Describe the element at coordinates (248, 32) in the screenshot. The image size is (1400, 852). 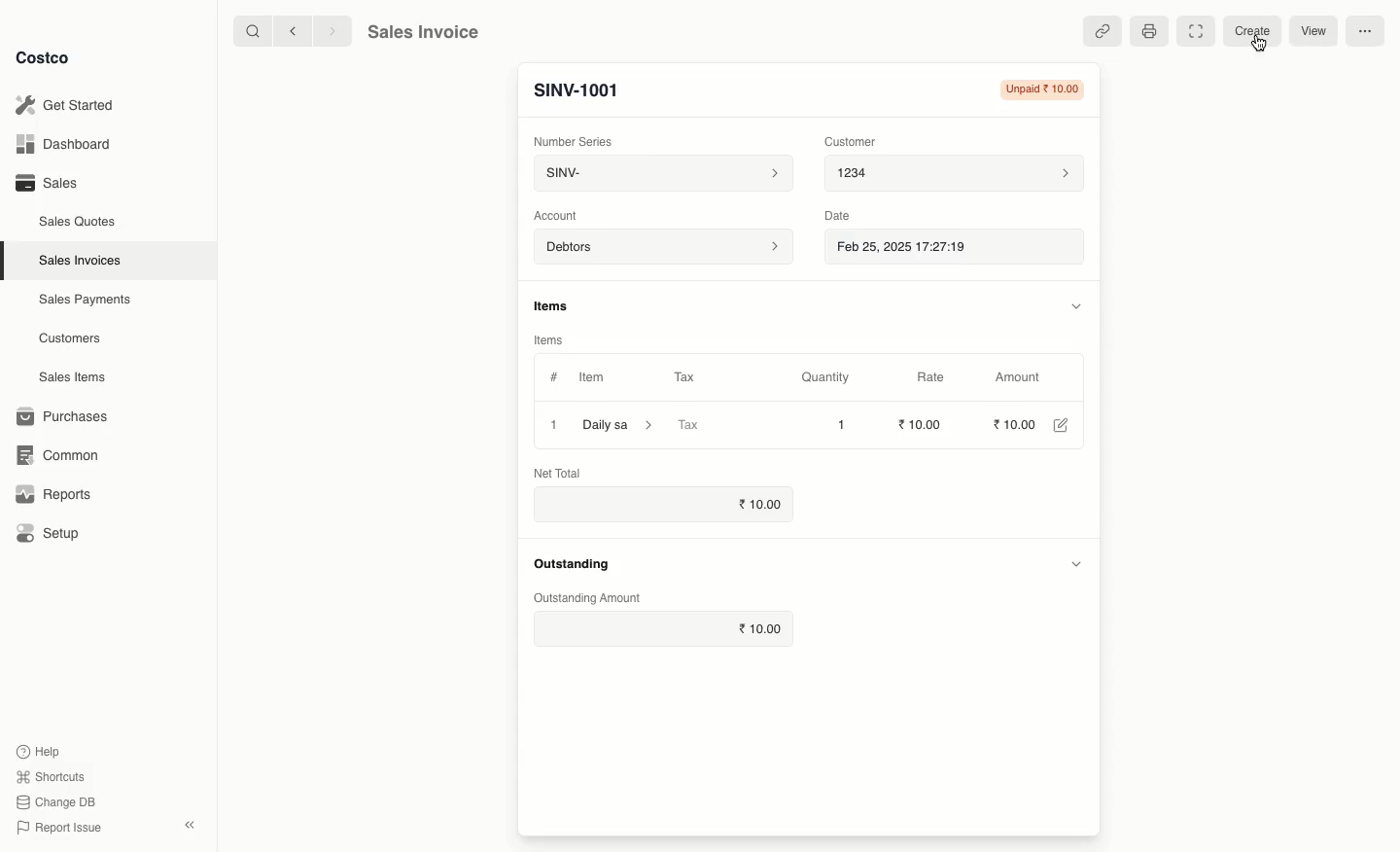
I see `Search` at that location.